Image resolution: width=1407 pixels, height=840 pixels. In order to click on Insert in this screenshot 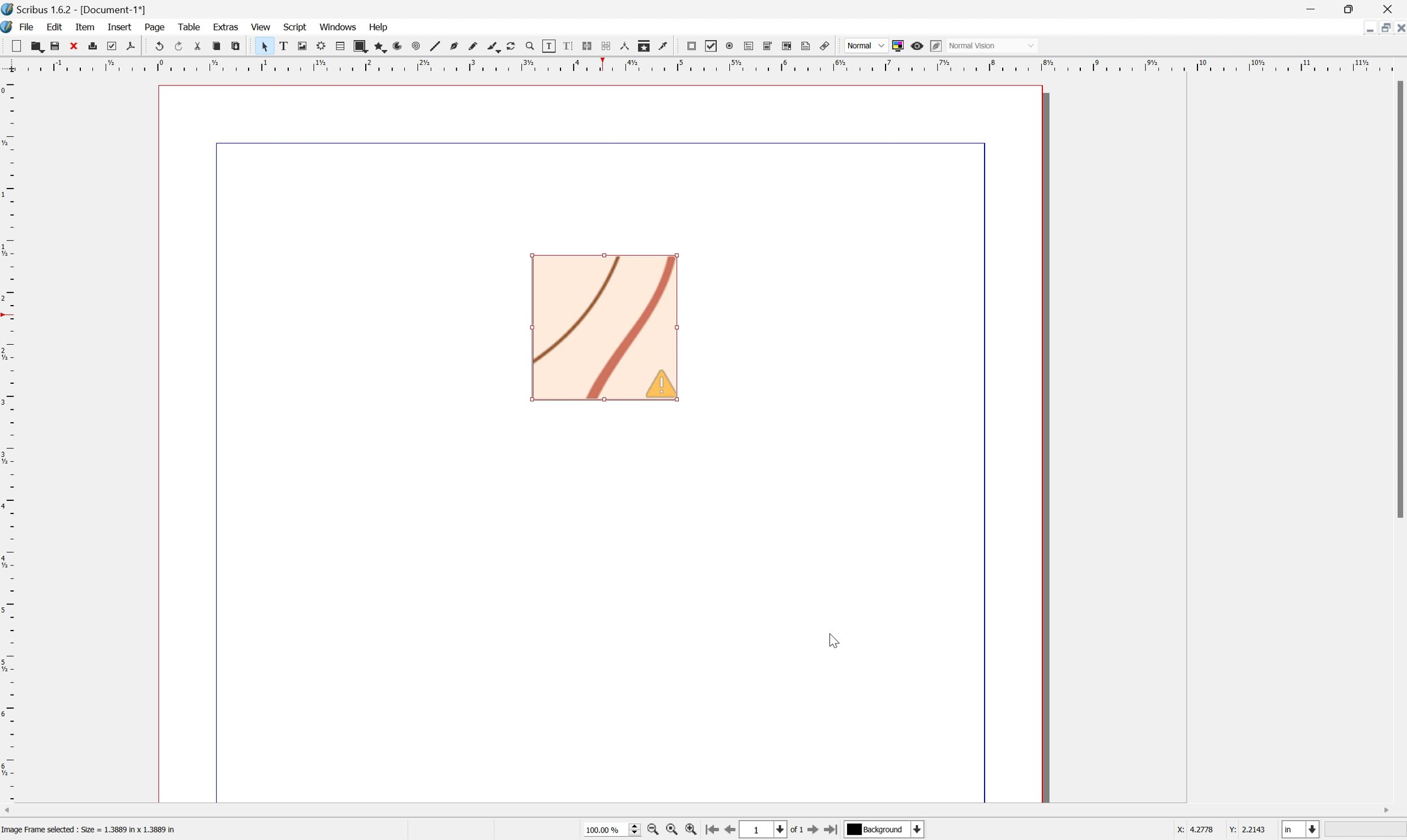, I will do `click(119, 27)`.